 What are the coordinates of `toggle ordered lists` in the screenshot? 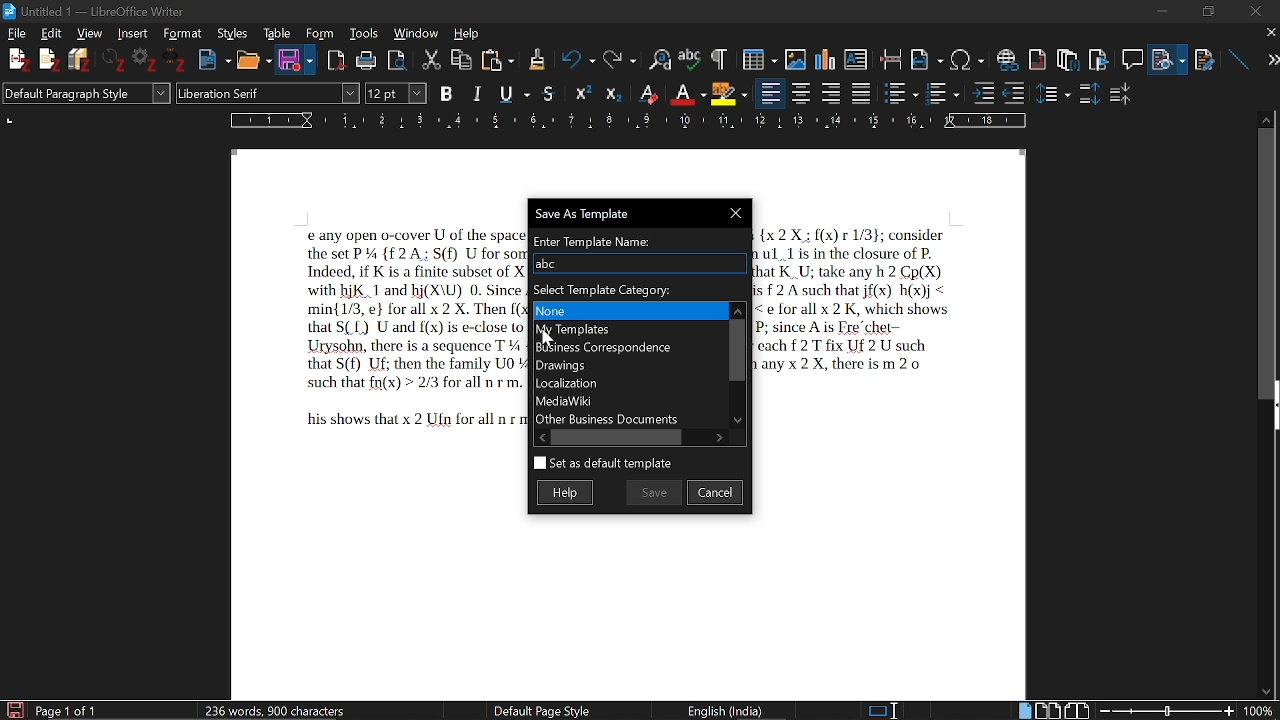 It's located at (944, 92).